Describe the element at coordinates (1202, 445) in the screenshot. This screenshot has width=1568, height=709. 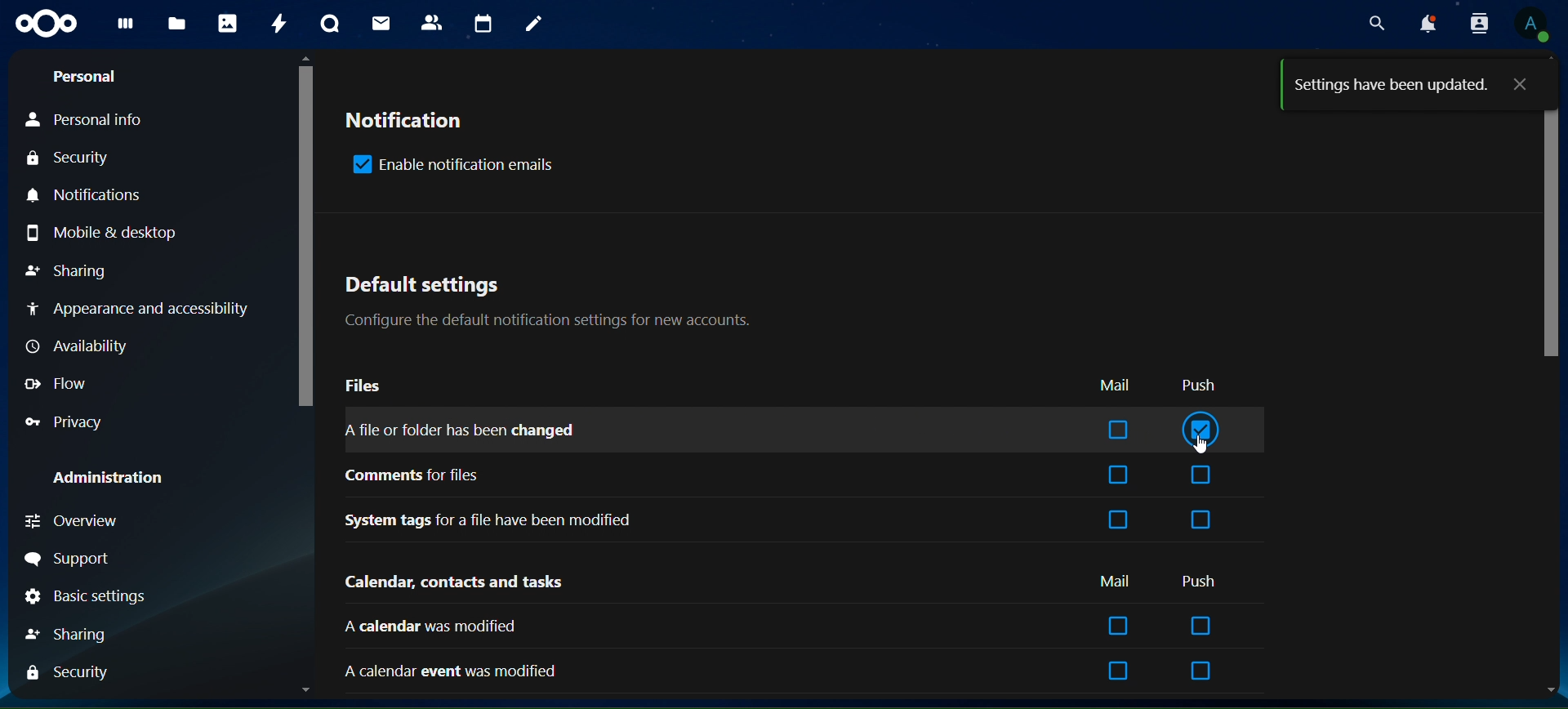
I see `cursor` at that location.